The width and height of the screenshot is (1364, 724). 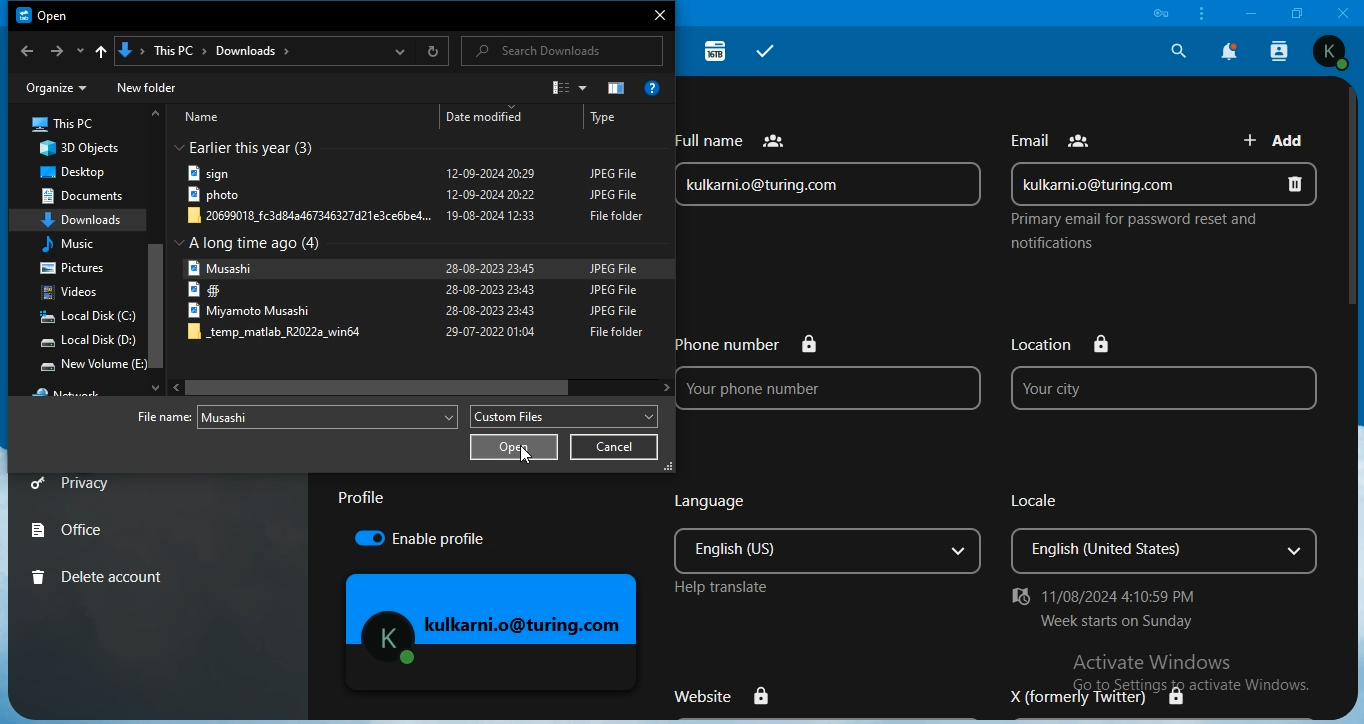 I want to click on videos, so click(x=72, y=294).